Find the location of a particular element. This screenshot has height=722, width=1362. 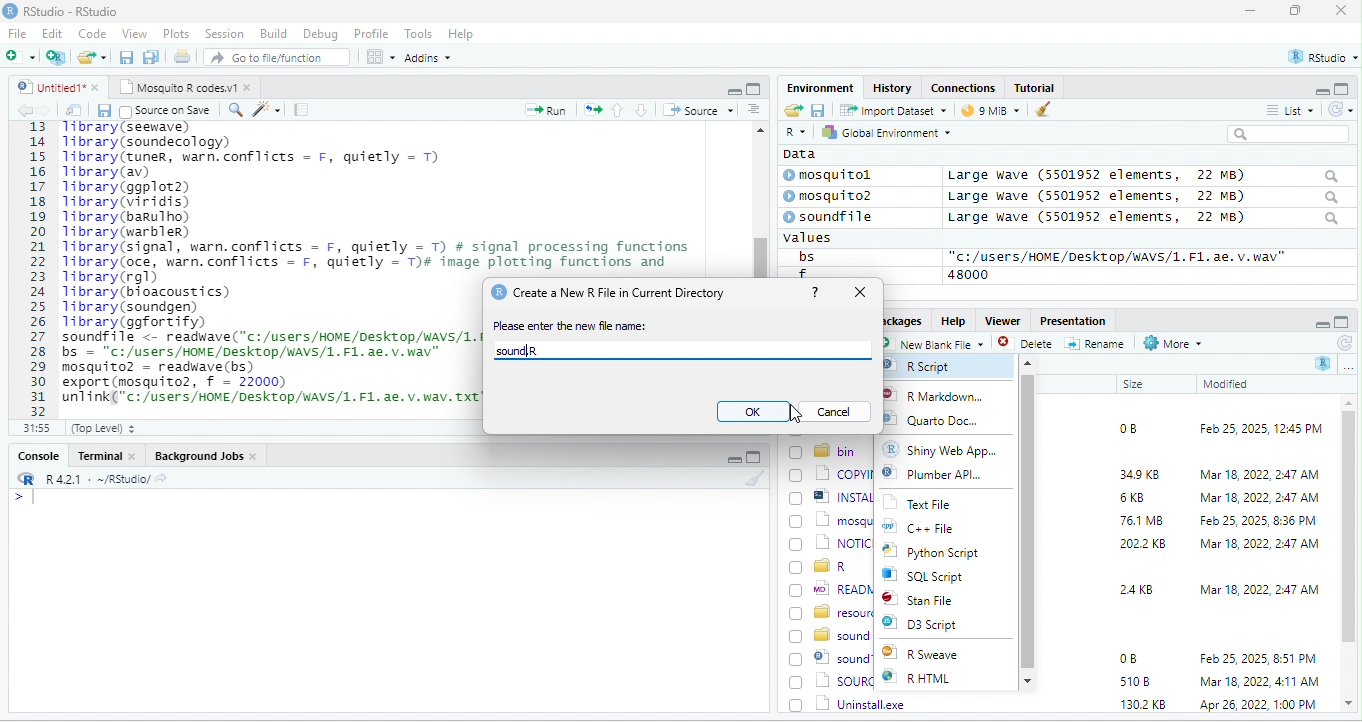

Console is located at coordinates (37, 454).